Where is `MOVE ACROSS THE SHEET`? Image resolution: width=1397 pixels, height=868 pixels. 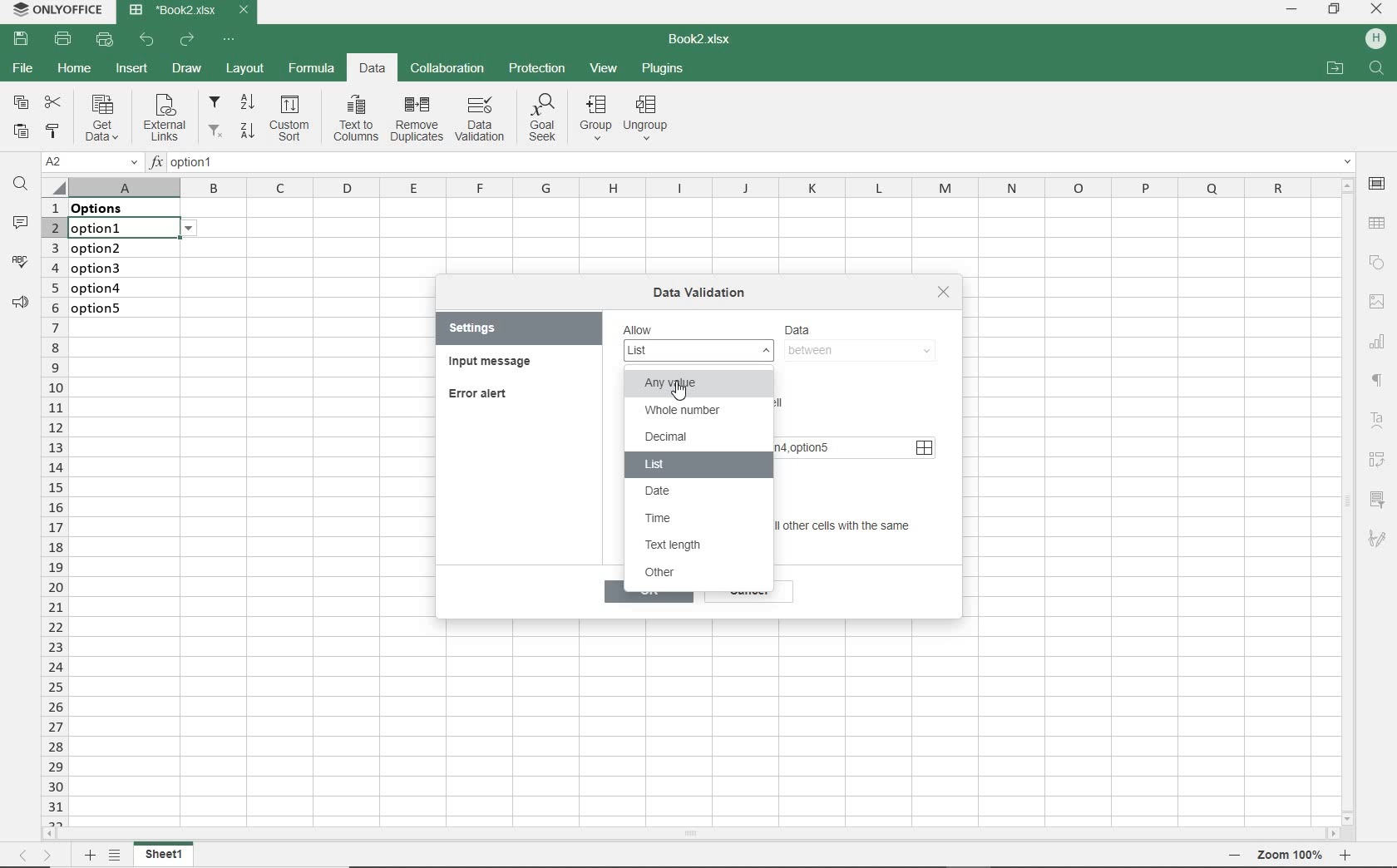 MOVE ACROSS THE SHEET is located at coordinates (36, 855).